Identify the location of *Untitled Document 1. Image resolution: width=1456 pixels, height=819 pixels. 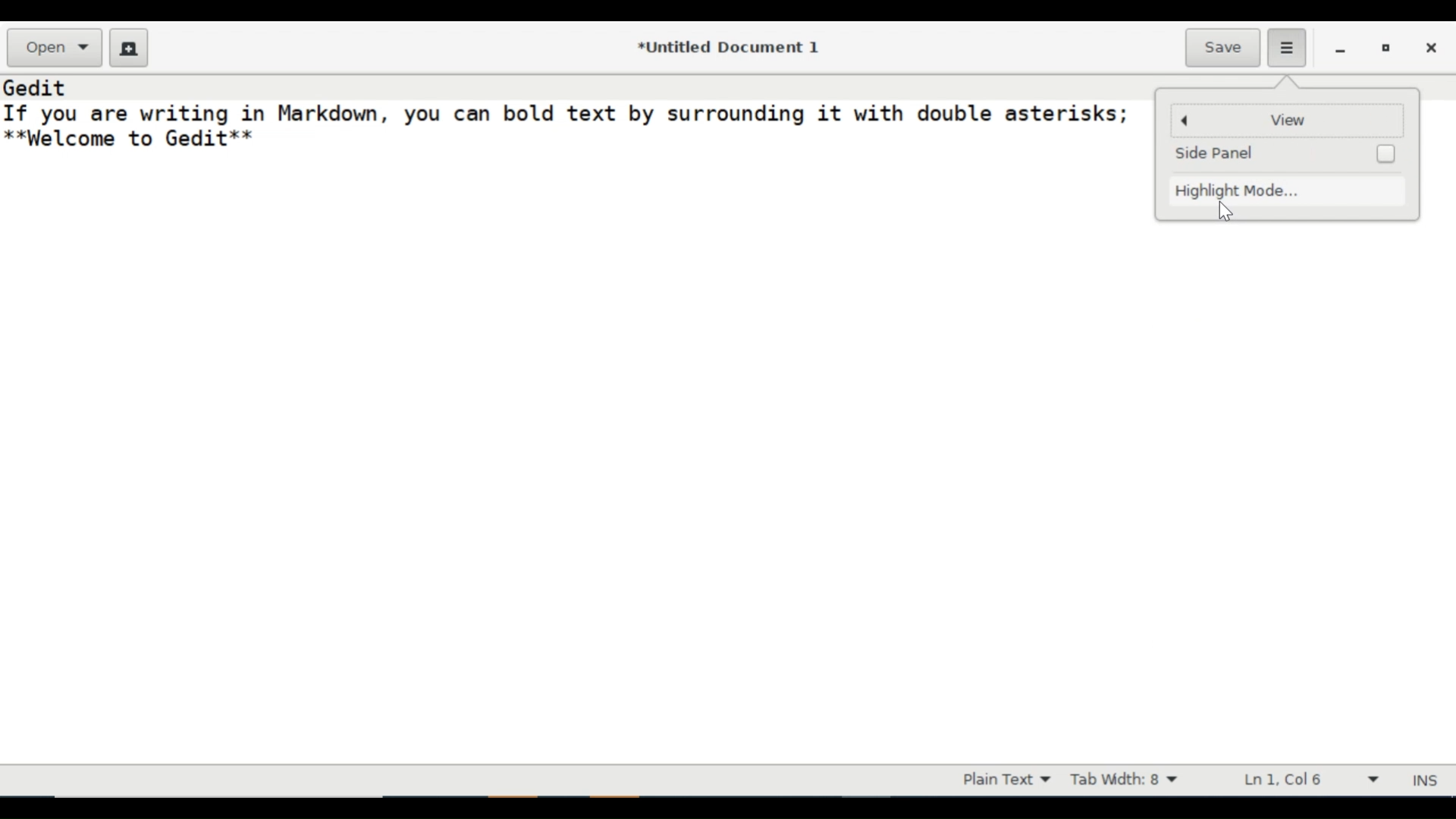
(730, 47).